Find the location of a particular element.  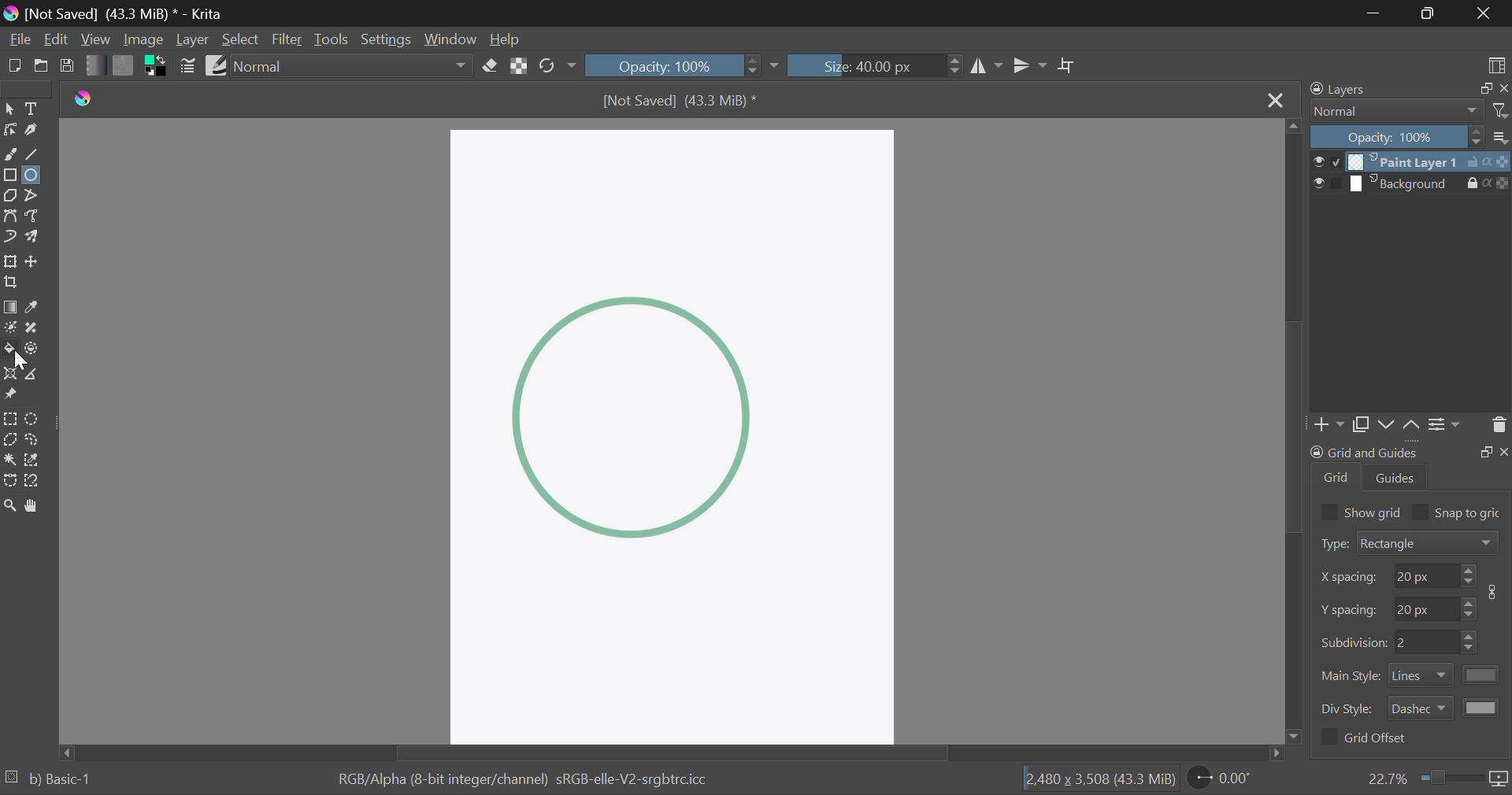

Choose Workspace is located at coordinates (1495, 65).